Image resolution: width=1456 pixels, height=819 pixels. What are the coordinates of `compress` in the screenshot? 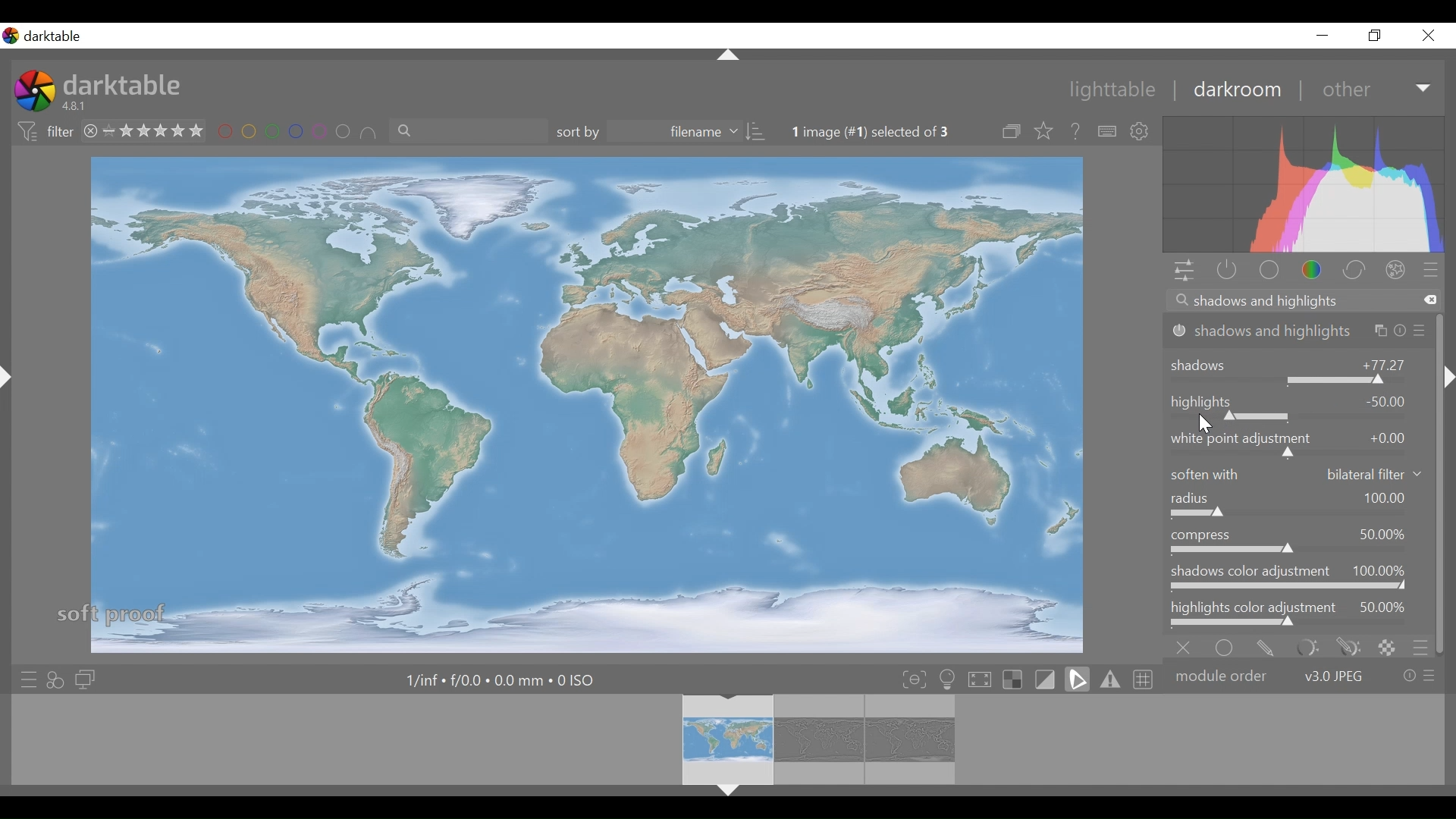 It's located at (1298, 541).